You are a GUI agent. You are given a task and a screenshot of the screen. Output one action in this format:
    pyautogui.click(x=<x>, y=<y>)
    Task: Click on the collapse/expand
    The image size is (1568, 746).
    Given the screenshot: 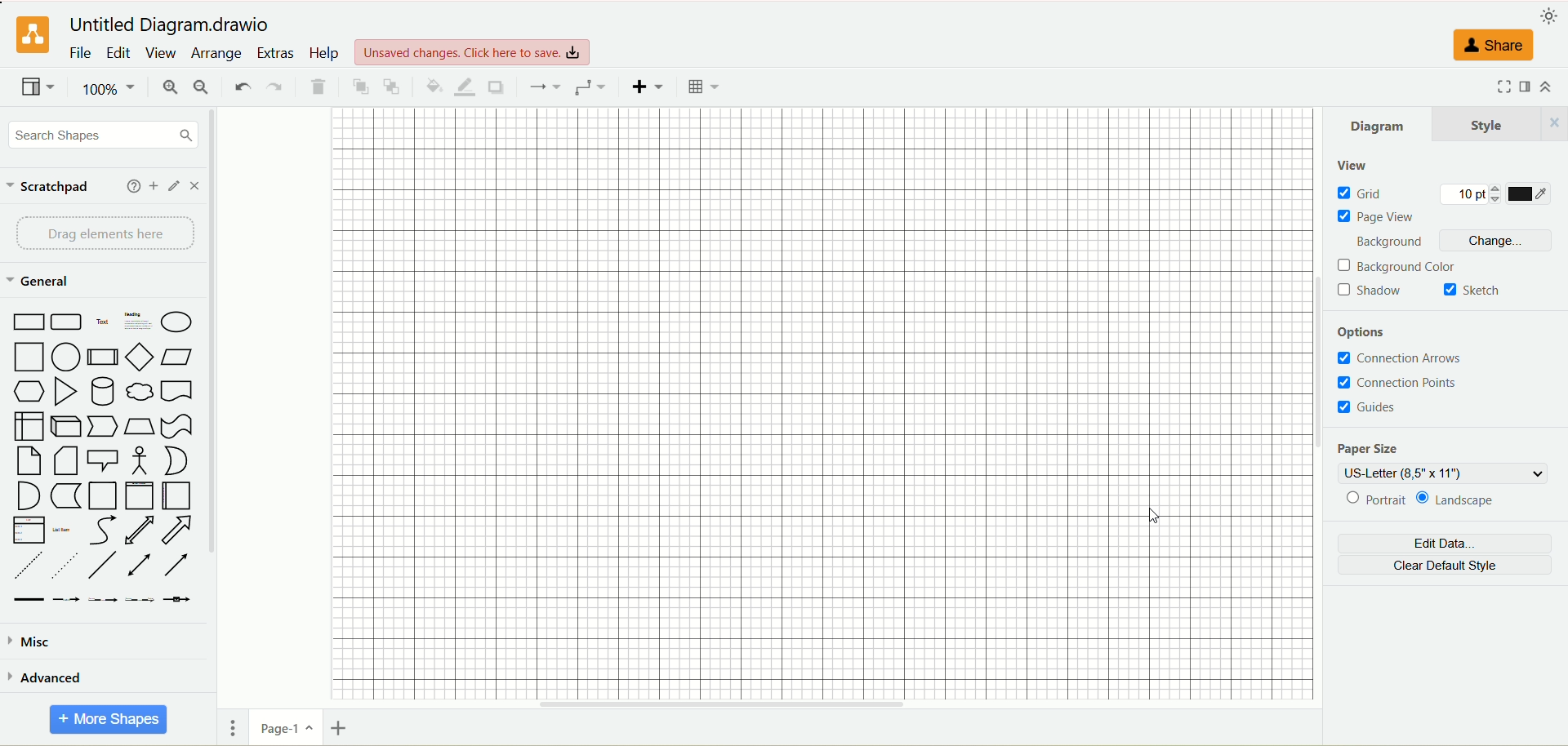 What is the action you would take?
    pyautogui.click(x=1549, y=85)
    